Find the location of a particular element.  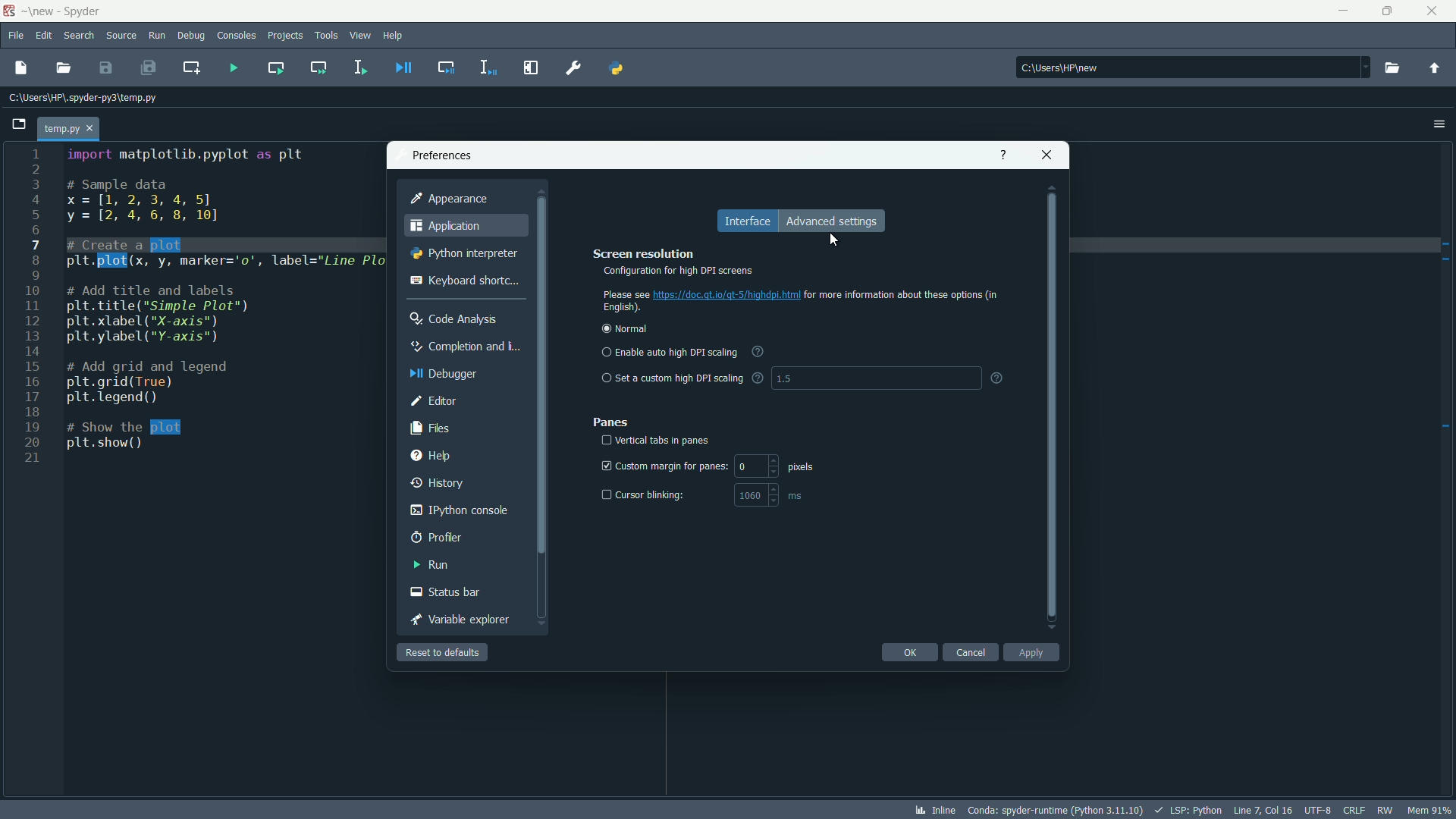

advance settings is located at coordinates (831, 221).